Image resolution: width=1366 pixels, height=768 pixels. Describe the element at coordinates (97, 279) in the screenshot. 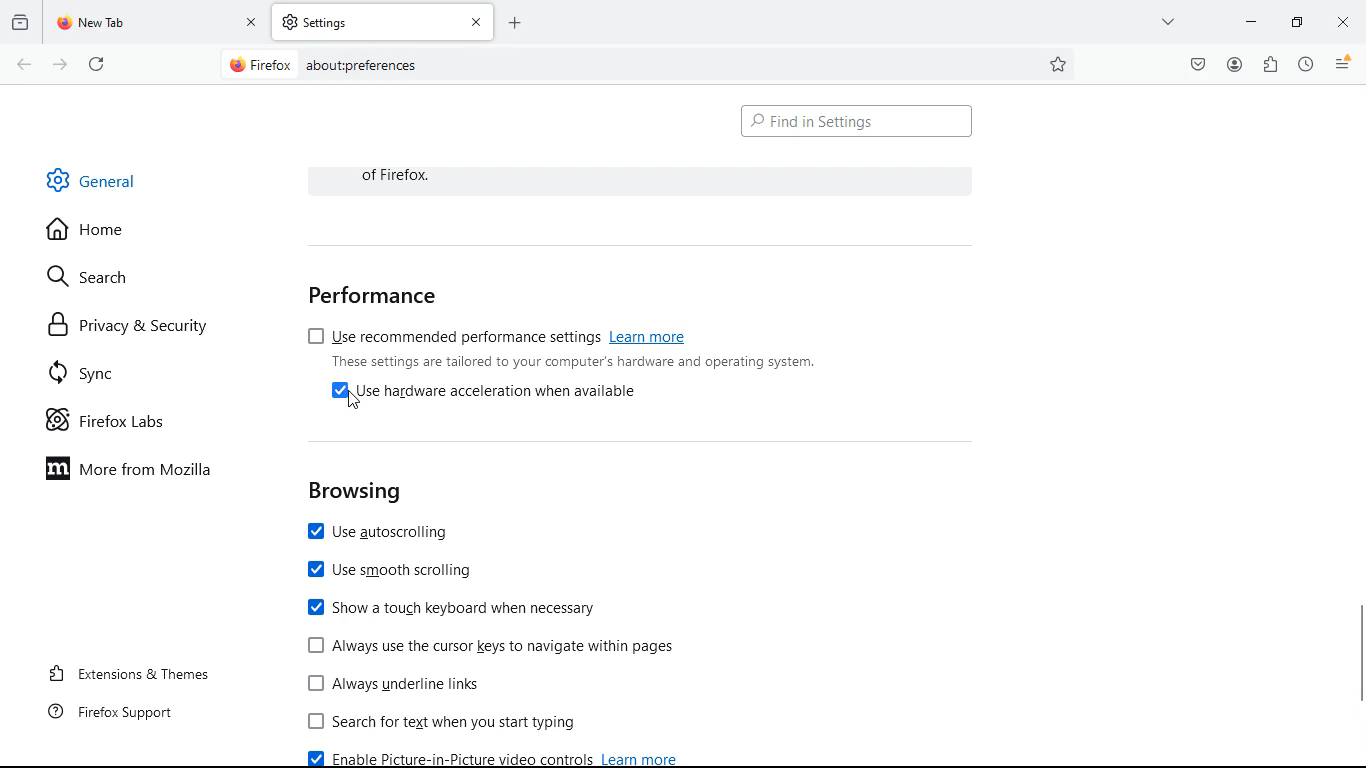

I see `search` at that location.